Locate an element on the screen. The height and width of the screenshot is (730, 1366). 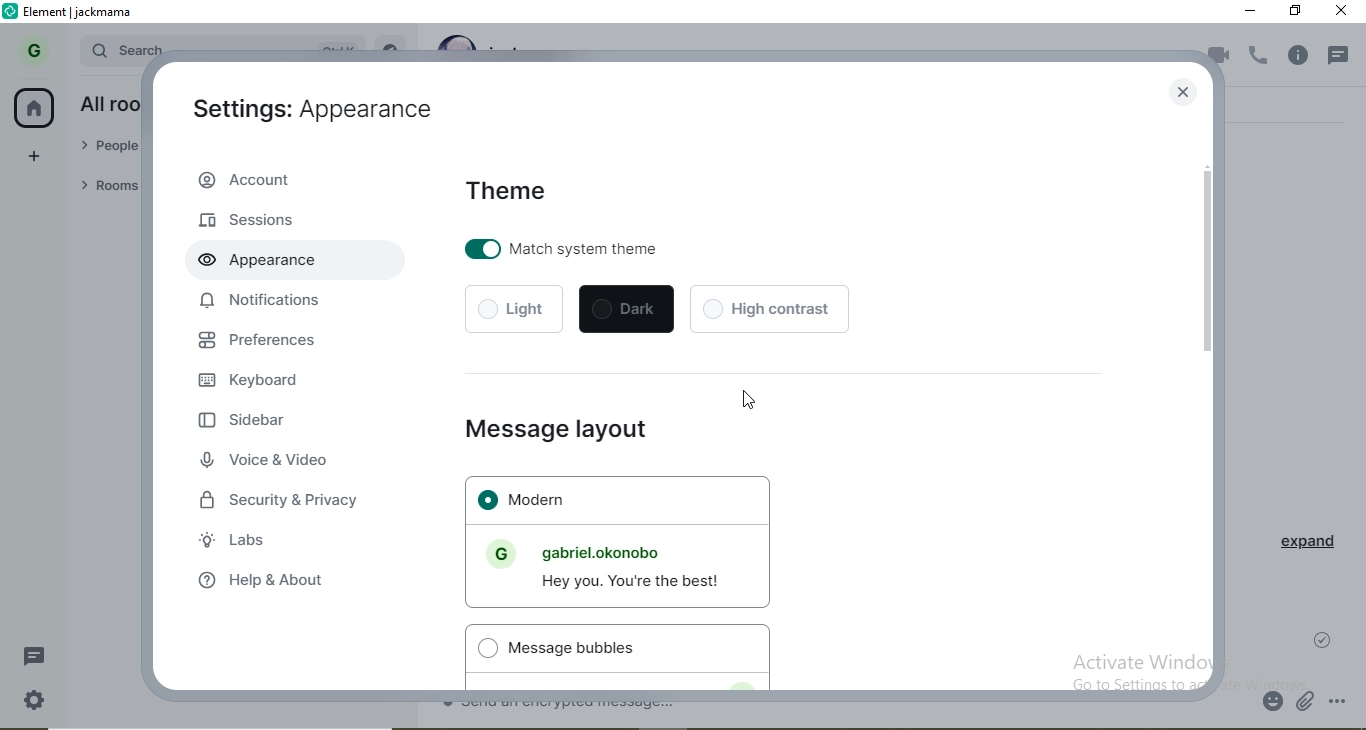
all rooms is located at coordinates (107, 104).